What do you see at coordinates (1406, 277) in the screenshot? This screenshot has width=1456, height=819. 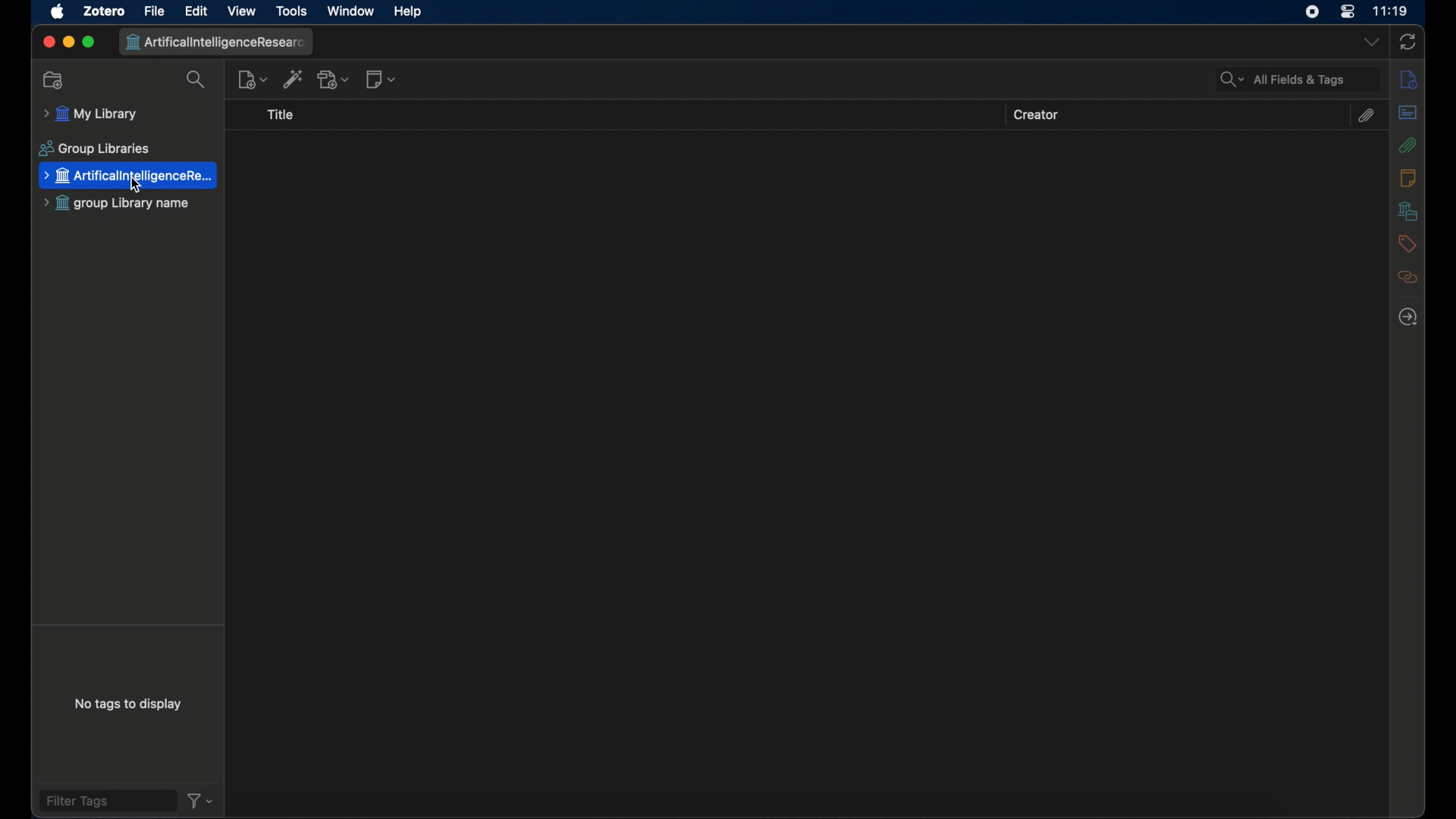 I see `related` at bounding box center [1406, 277].